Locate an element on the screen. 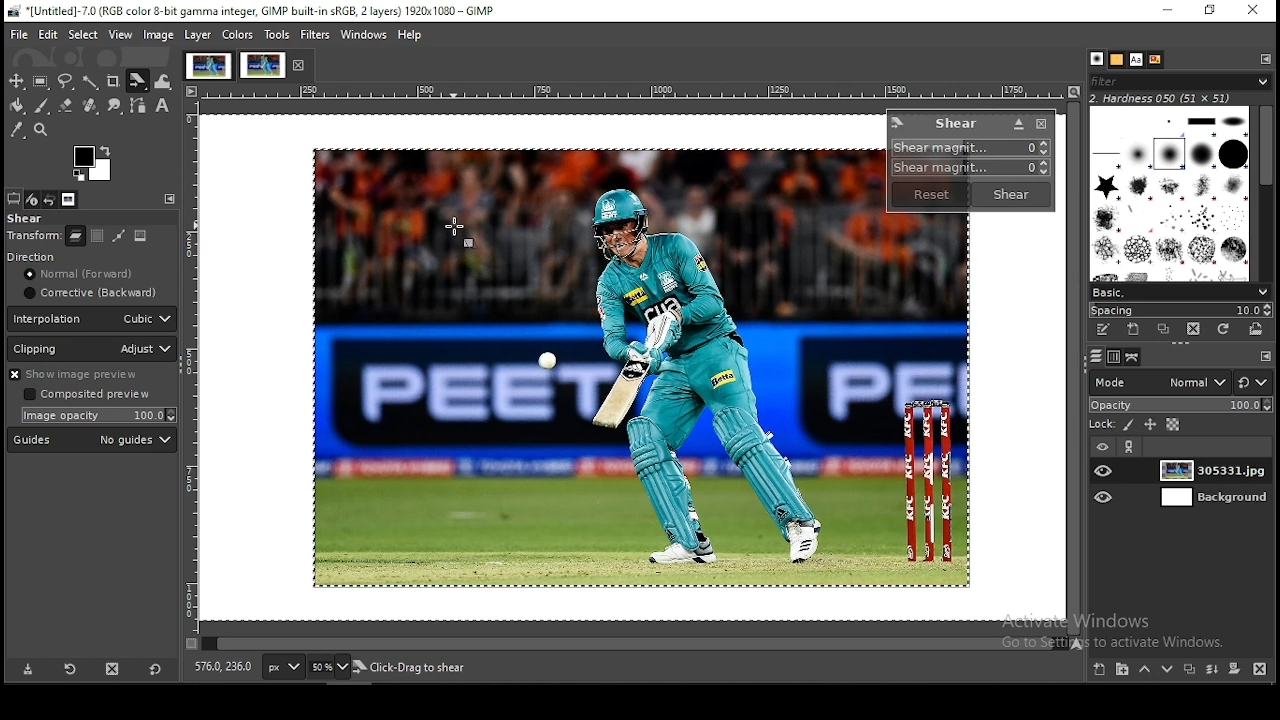 Image resolution: width=1280 pixels, height=720 pixels. images is located at coordinates (70, 200).